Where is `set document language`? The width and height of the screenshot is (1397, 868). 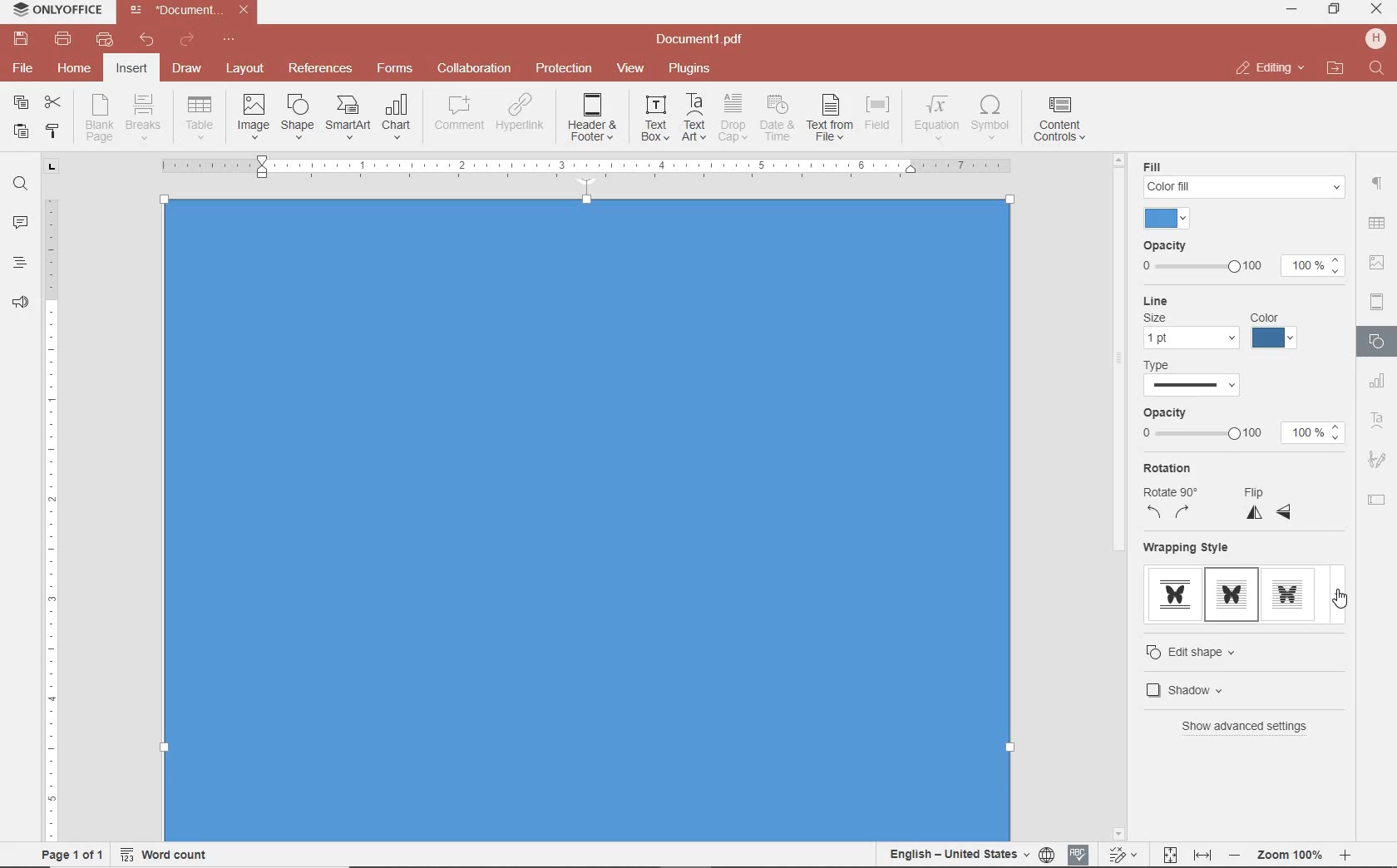
set document language is located at coordinates (970, 854).